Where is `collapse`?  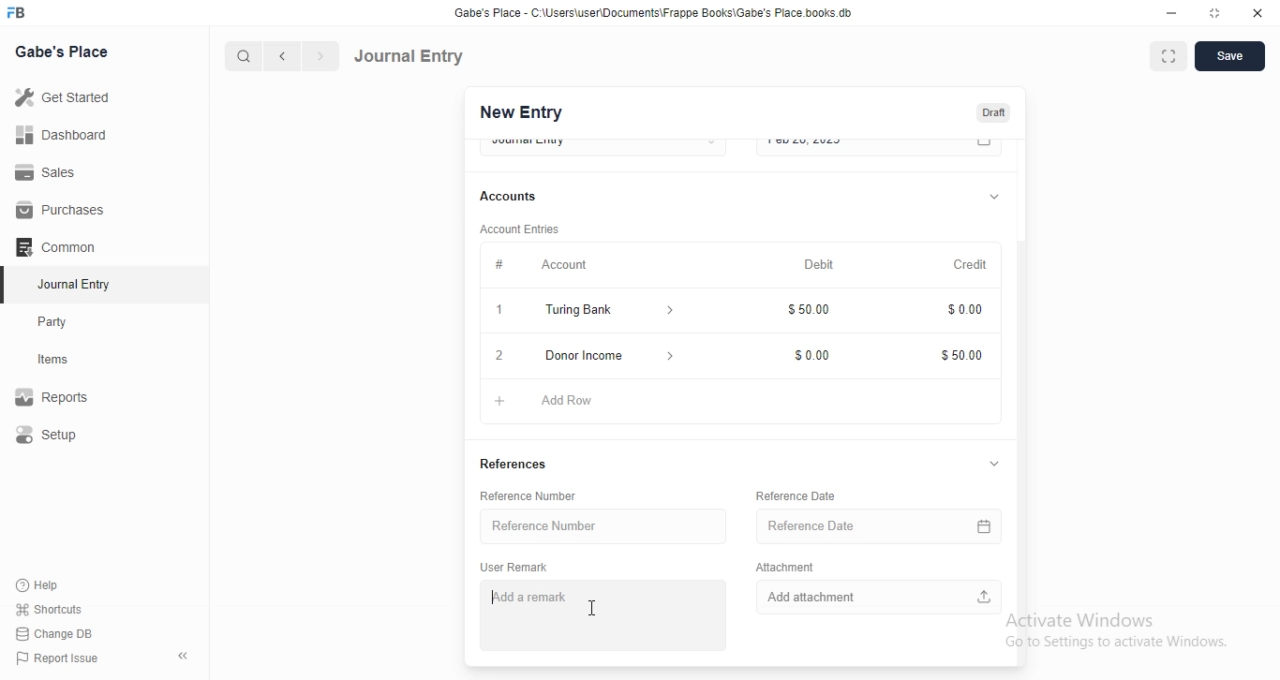 collapse is located at coordinates (994, 194).